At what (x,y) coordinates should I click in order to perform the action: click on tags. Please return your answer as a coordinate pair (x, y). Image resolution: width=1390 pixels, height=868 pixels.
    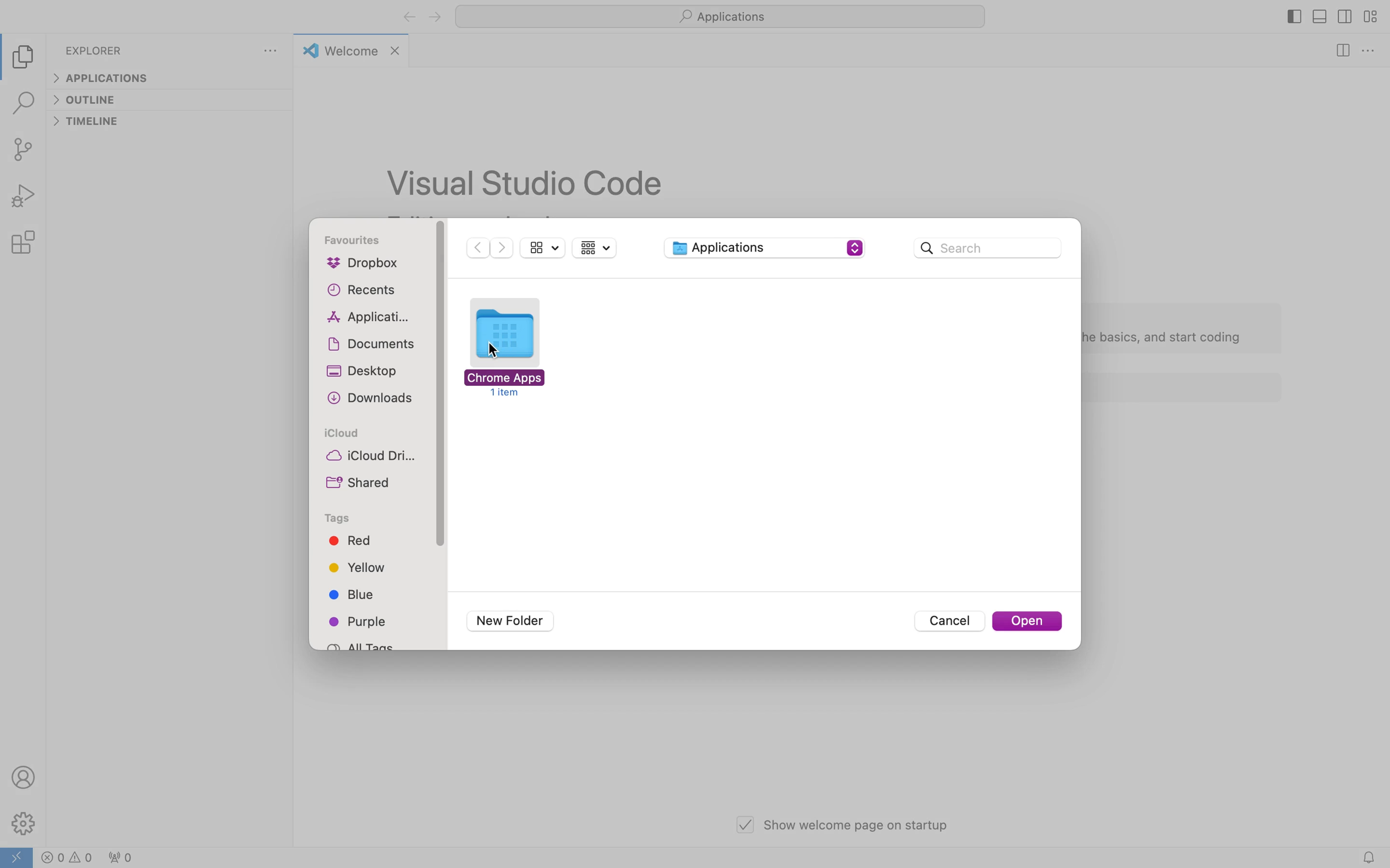
    Looking at the image, I should click on (341, 520).